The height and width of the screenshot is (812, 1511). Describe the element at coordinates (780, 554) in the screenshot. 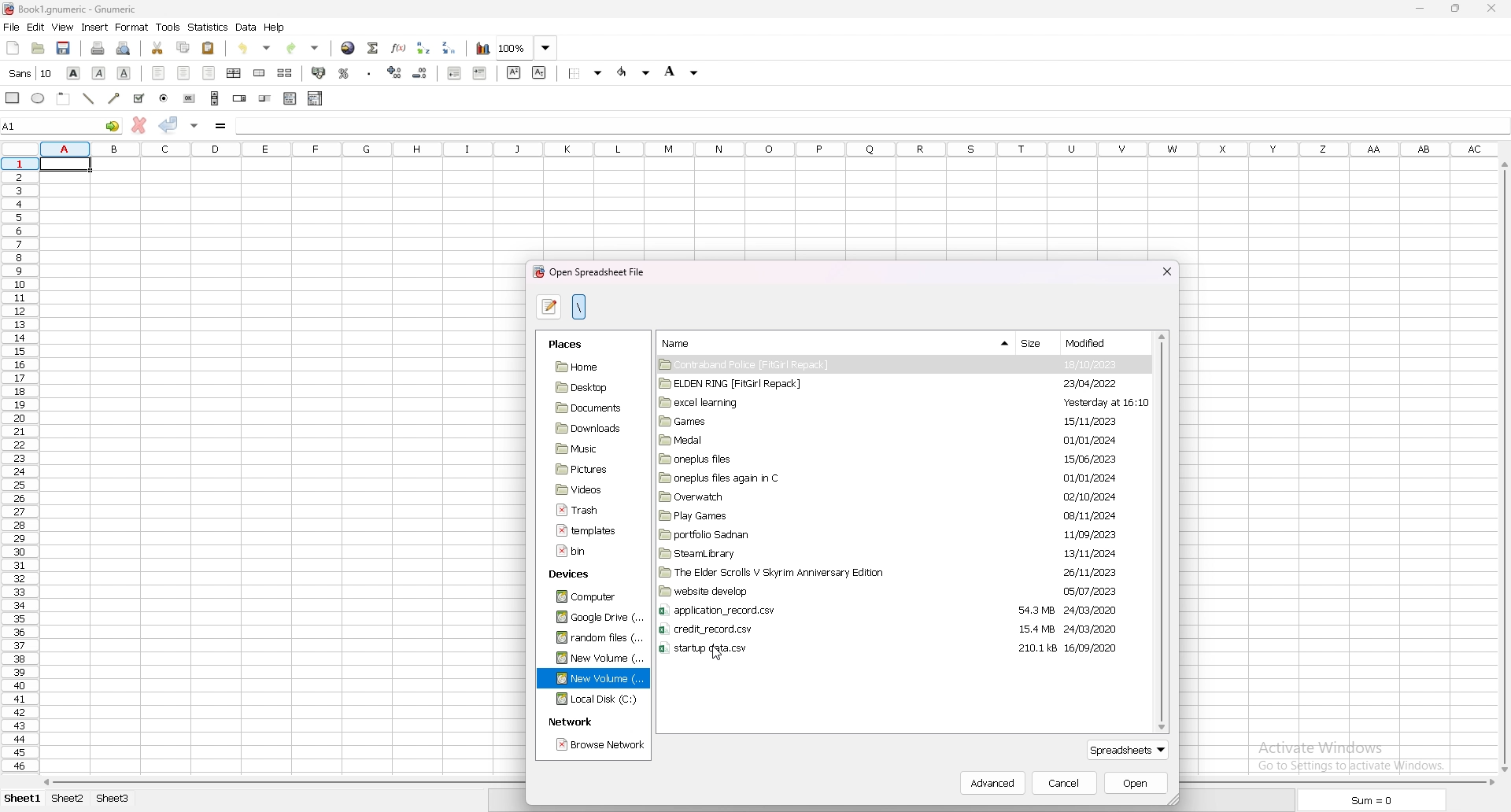

I see `folder` at that location.